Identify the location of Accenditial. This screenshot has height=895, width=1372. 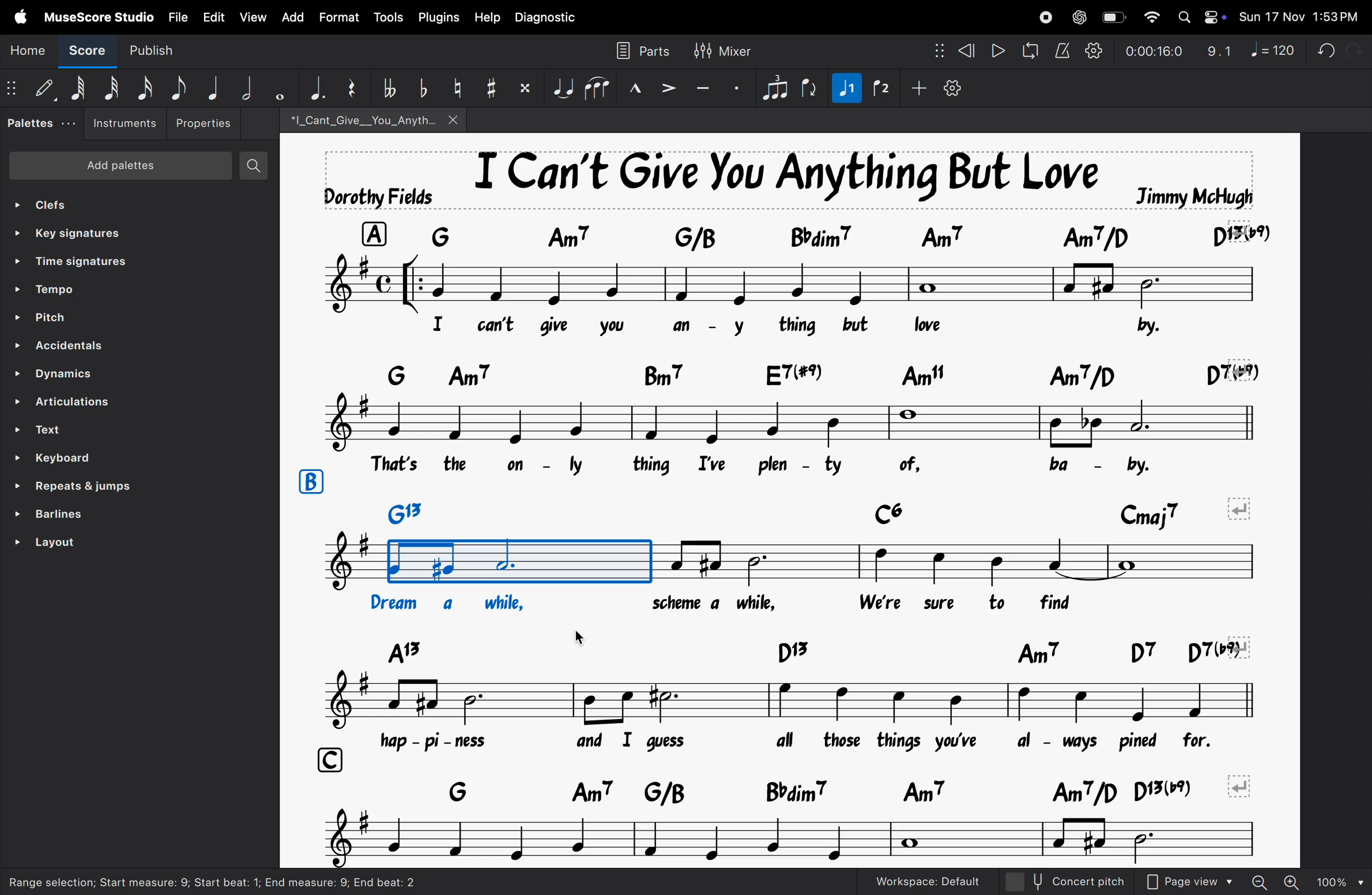
(61, 345).